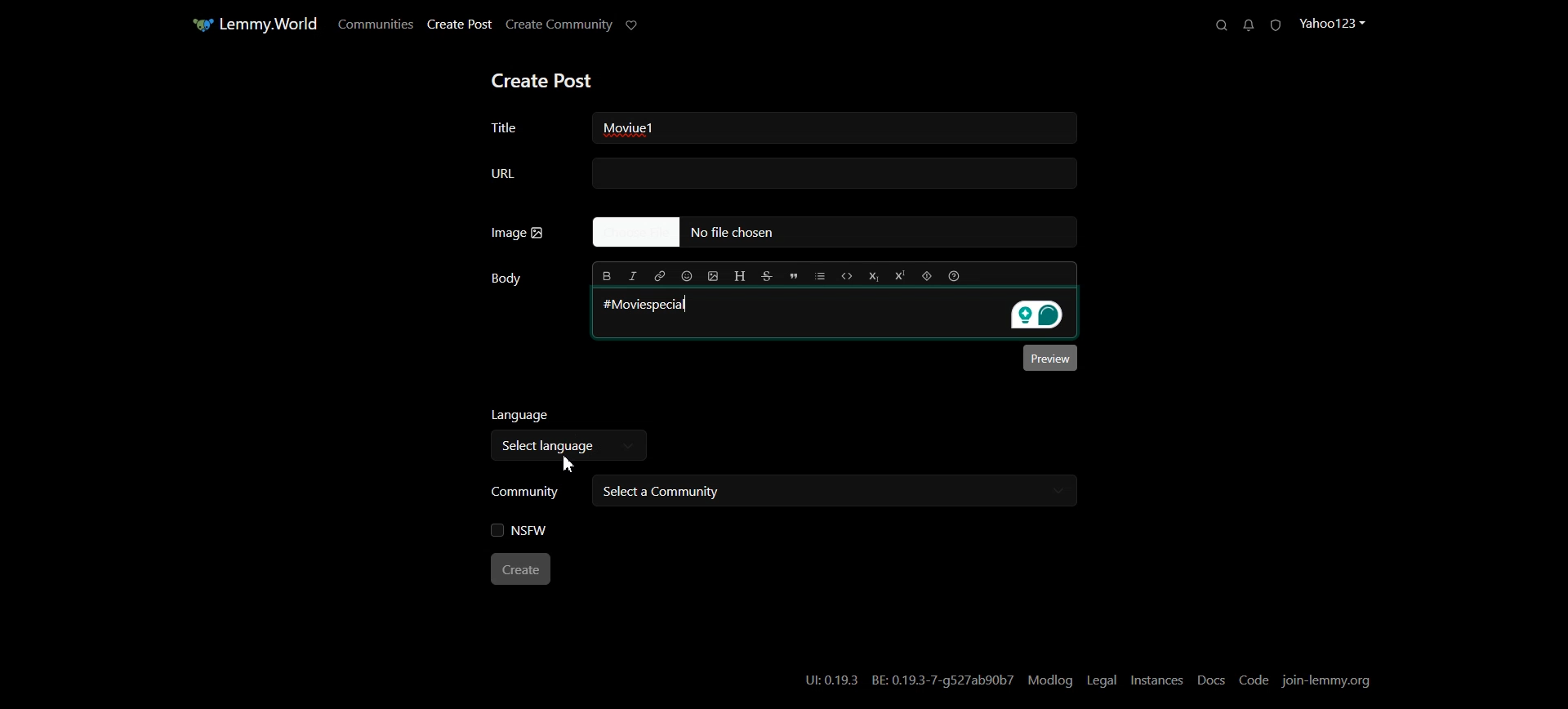 The image size is (1568, 709). Describe the element at coordinates (560, 25) in the screenshot. I see `Create Community` at that location.